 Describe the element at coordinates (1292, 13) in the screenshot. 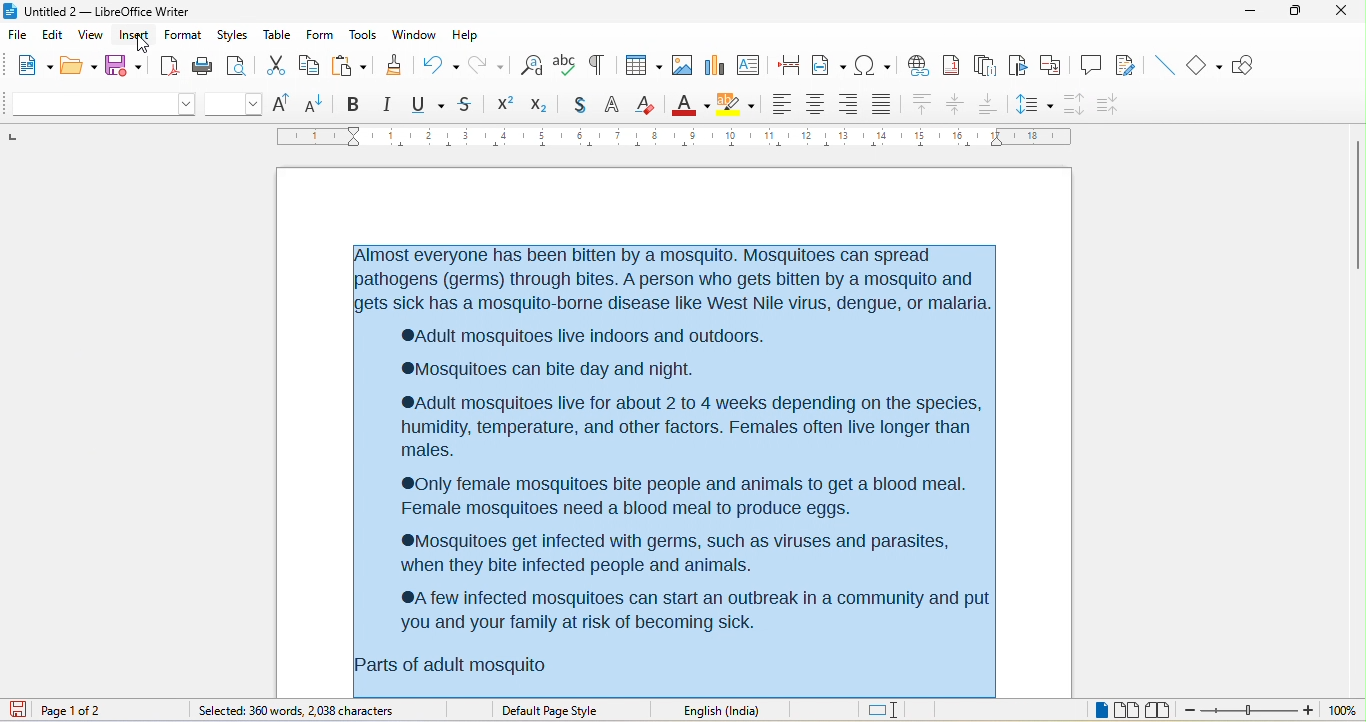

I see `maximize` at that location.